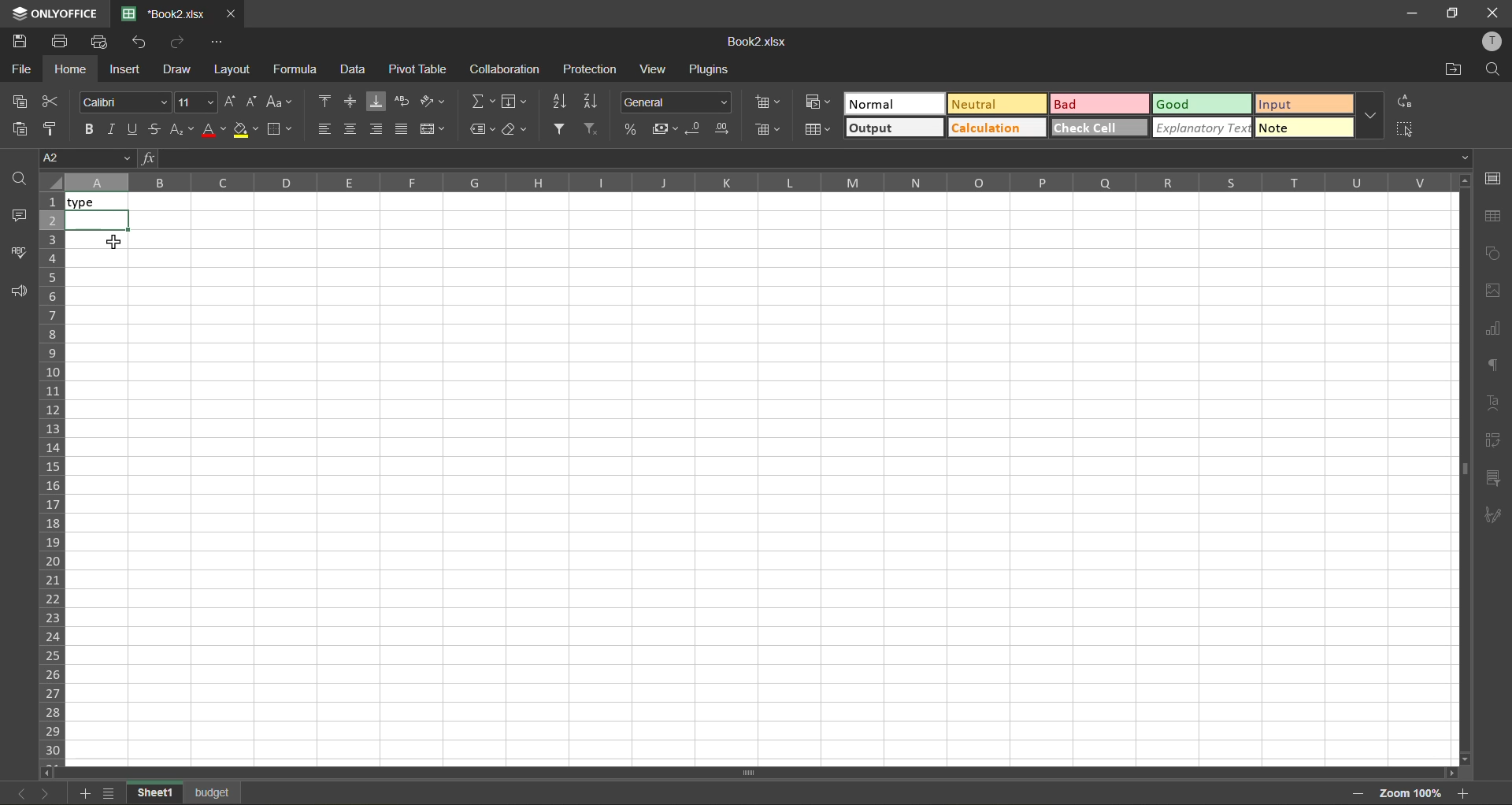 The width and height of the screenshot is (1512, 805). Describe the element at coordinates (1494, 254) in the screenshot. I see `shapes` at that location.